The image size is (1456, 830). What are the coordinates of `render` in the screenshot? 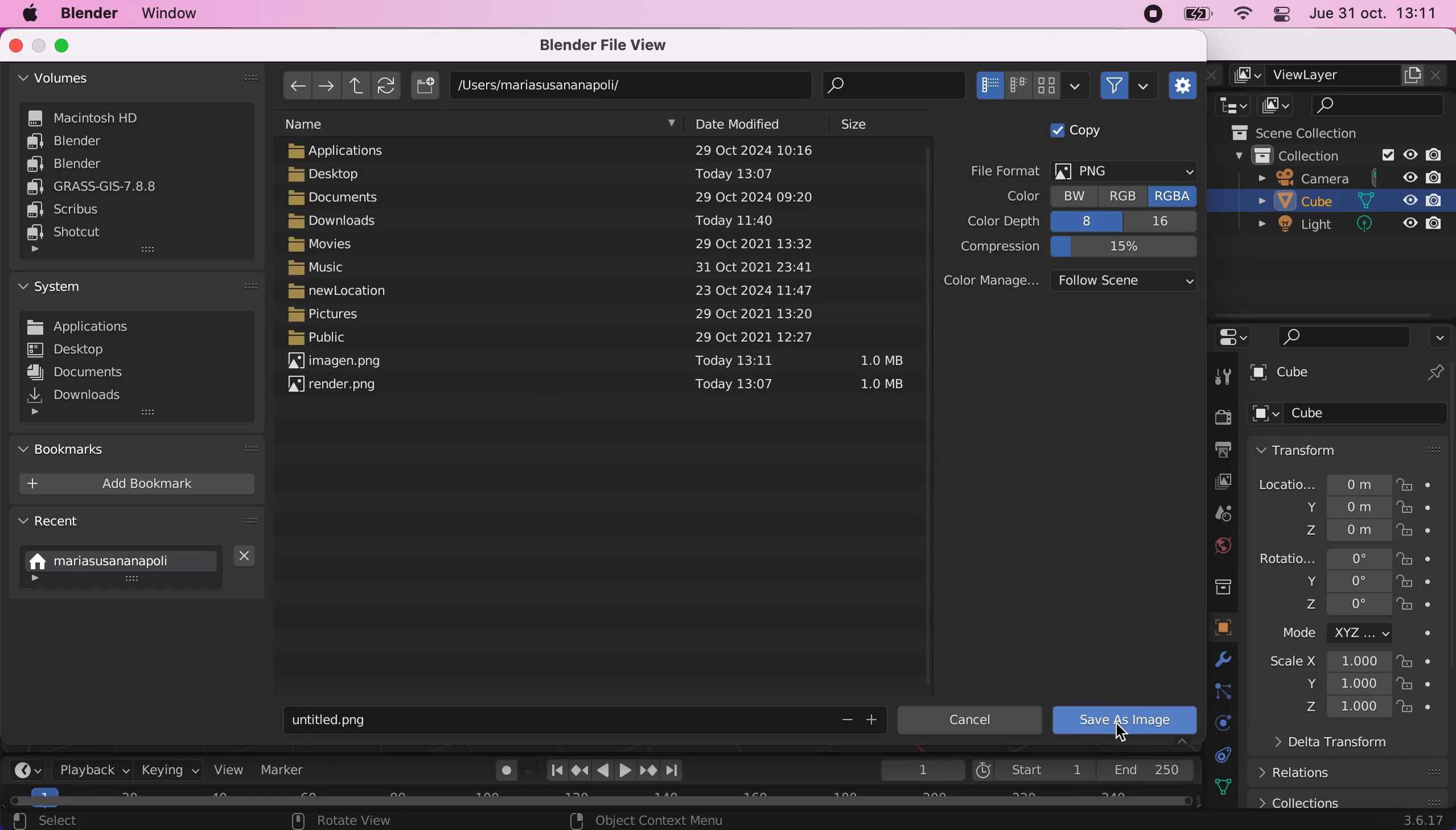 It's located at (1222, 418).